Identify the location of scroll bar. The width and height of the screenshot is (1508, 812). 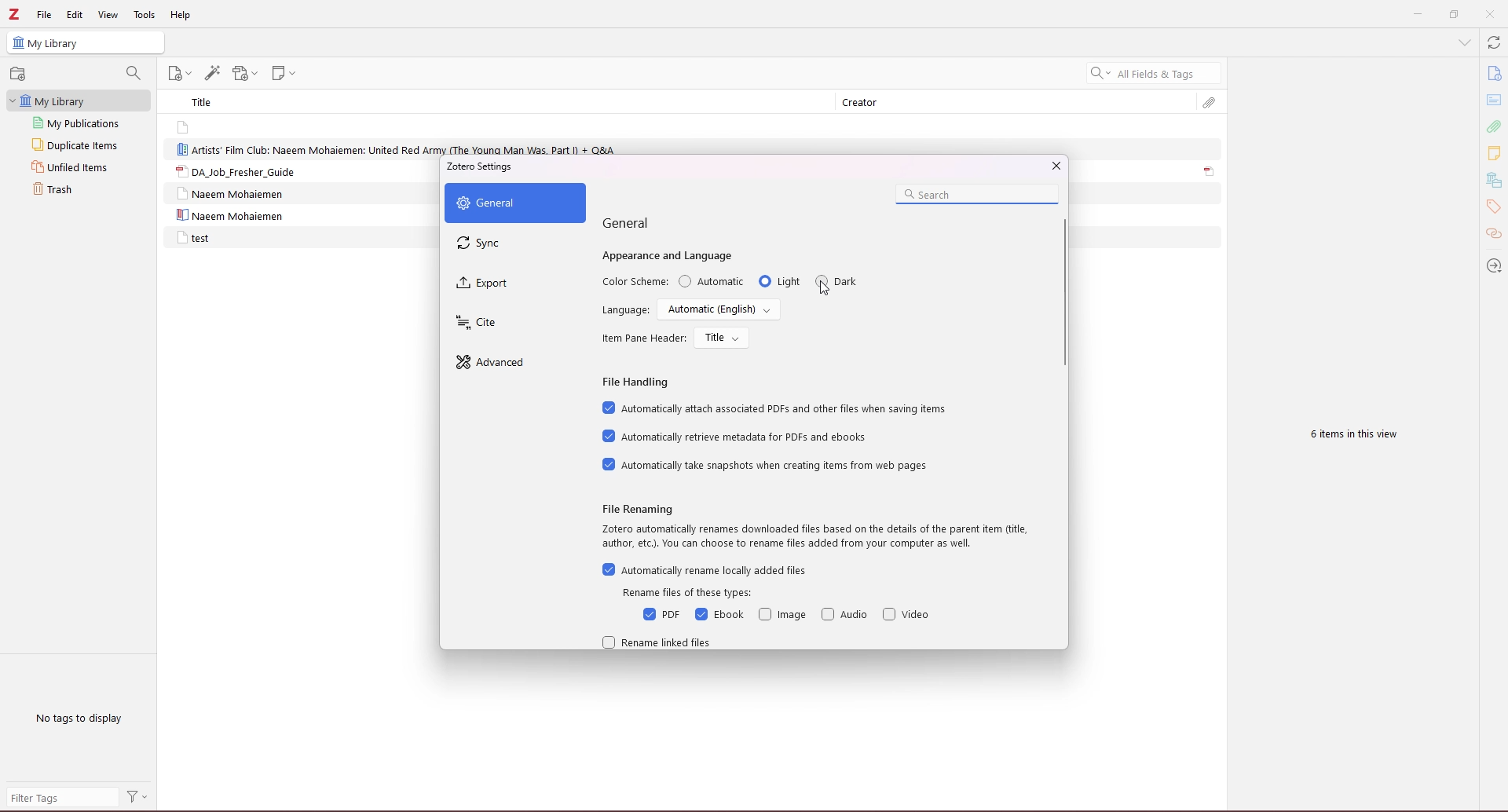
(1066, 292).